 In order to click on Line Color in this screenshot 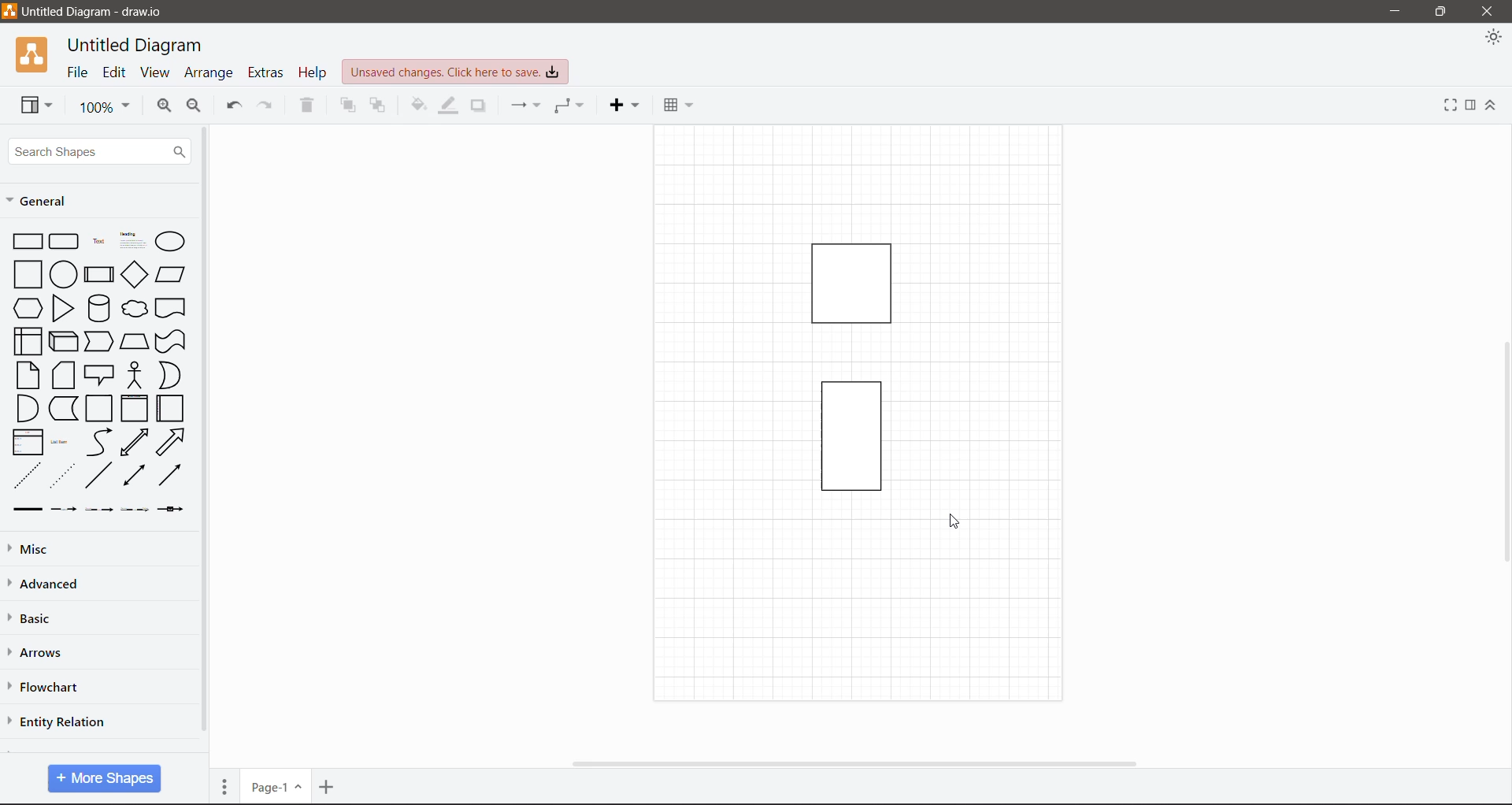, I will do `click(447, 107)`.